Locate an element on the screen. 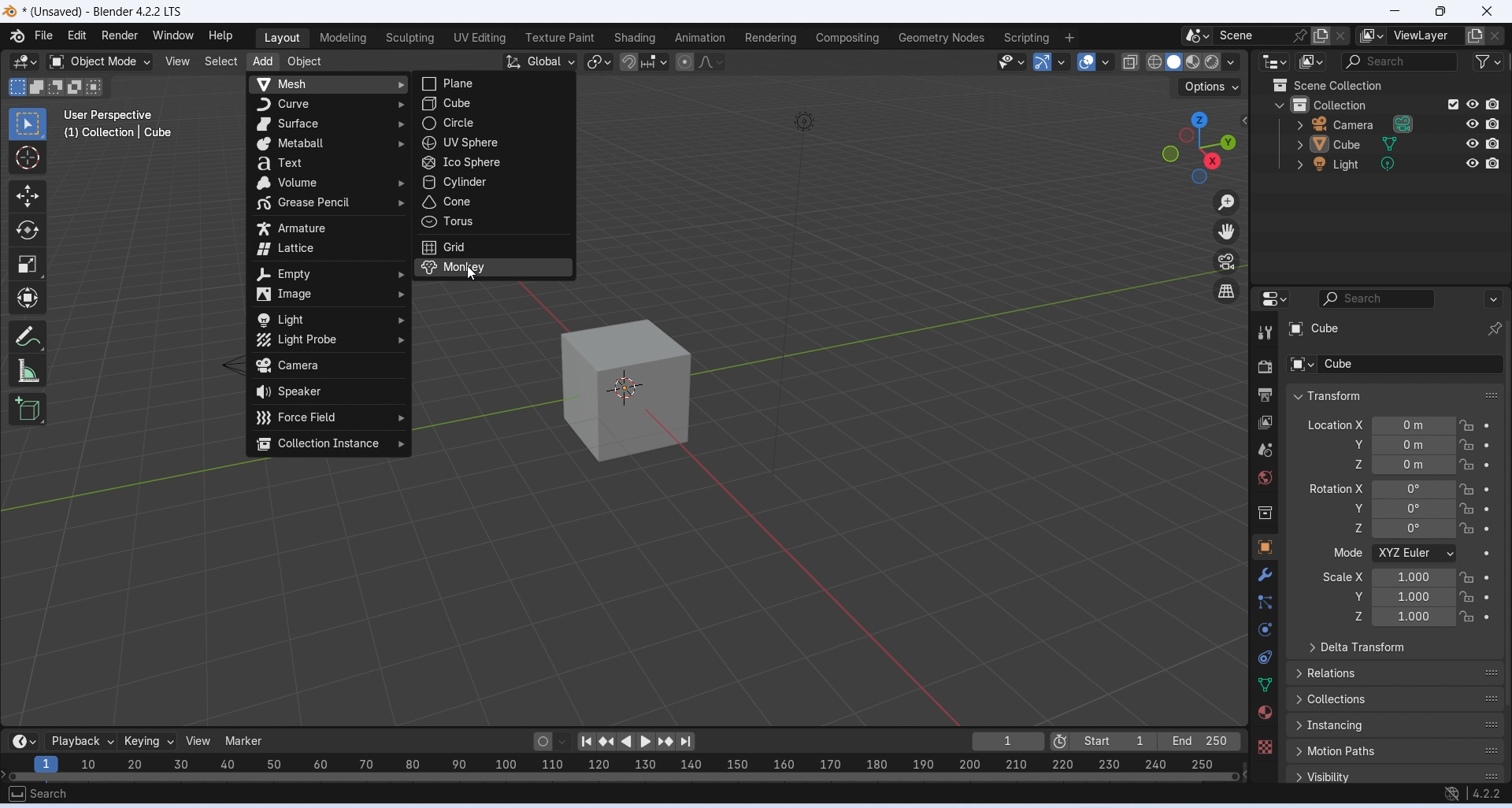 This screenshot has width=1512, height=808. transform pivot point is located at coordinates (600, 63).